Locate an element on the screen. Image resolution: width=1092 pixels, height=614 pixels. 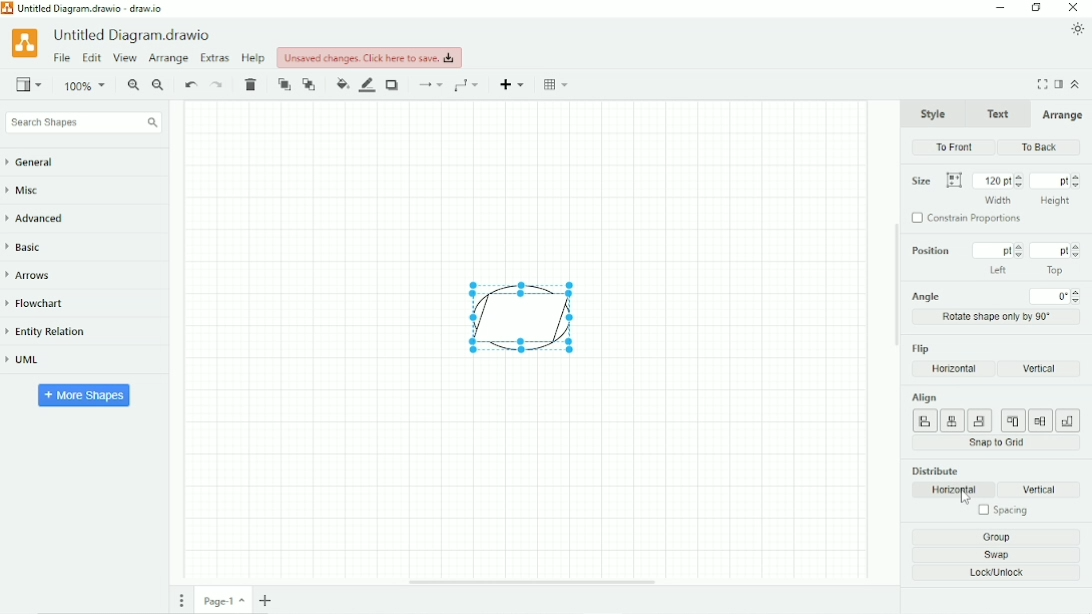
Size is located at coordinates (936, 181).